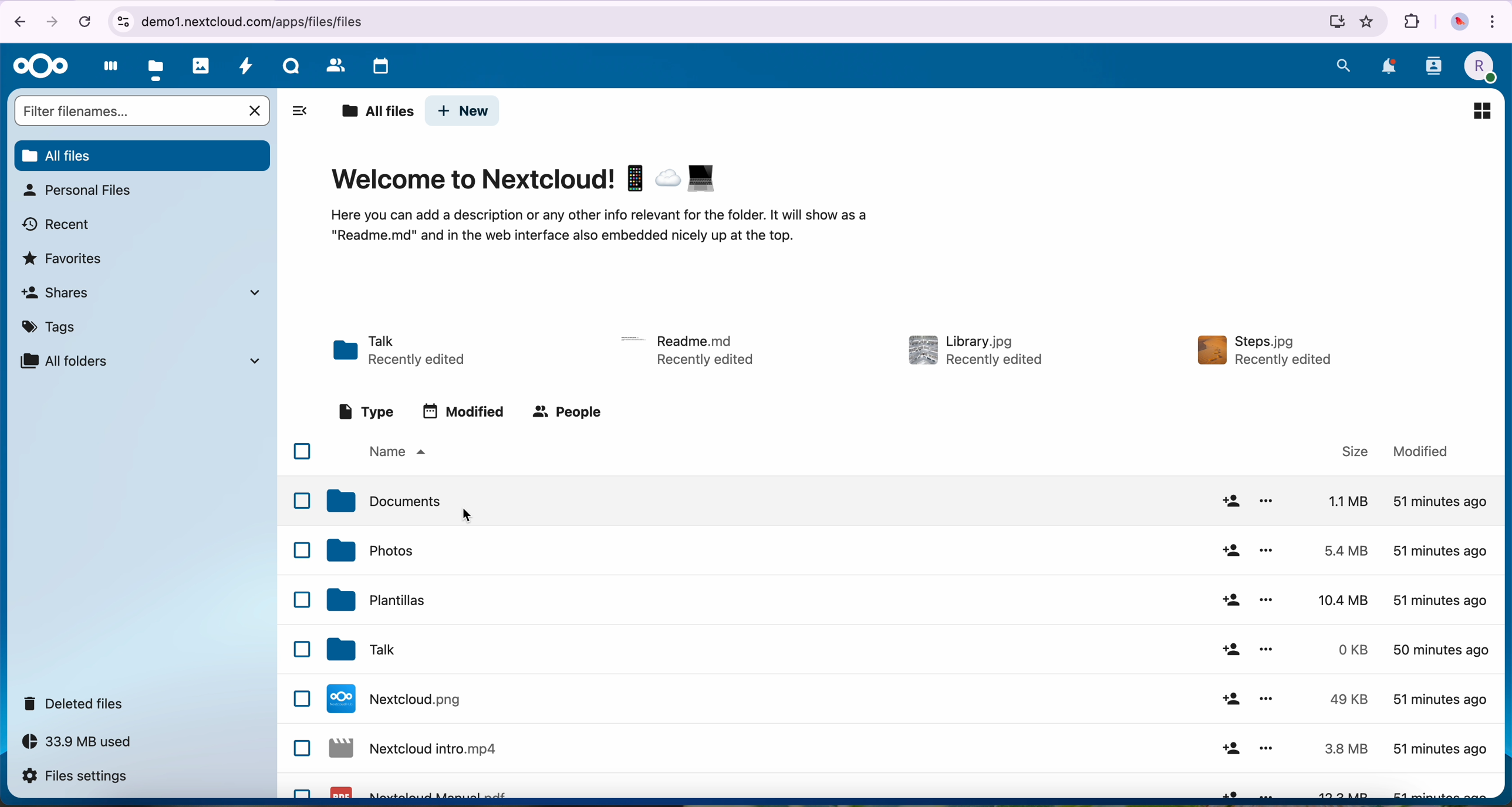  I want to click on deleted files, so click(77, 704).